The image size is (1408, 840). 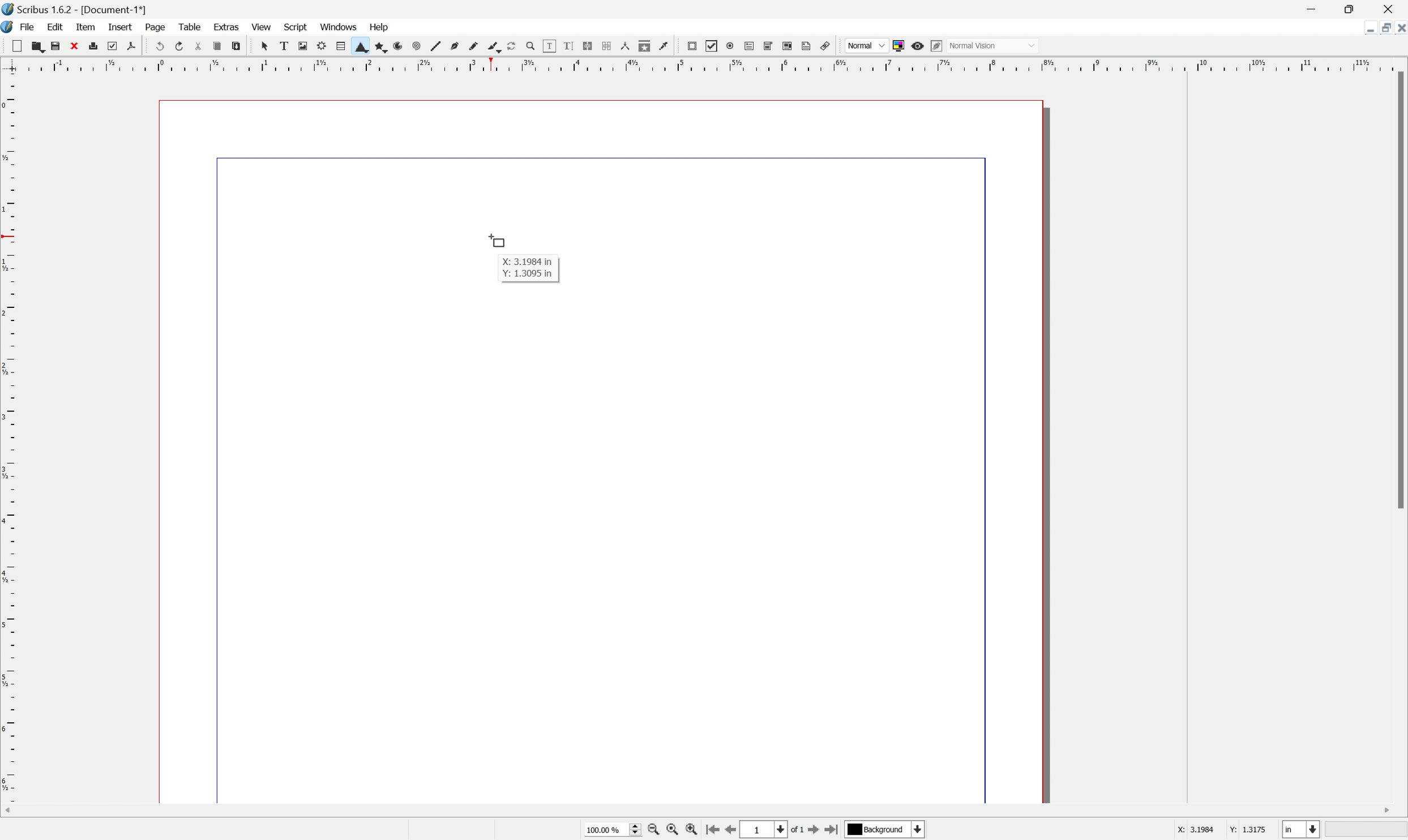 What do you see at coordinates (529, 45) in the screenshot?
I see `Zoom in or out` at bounding box center [529, 45].